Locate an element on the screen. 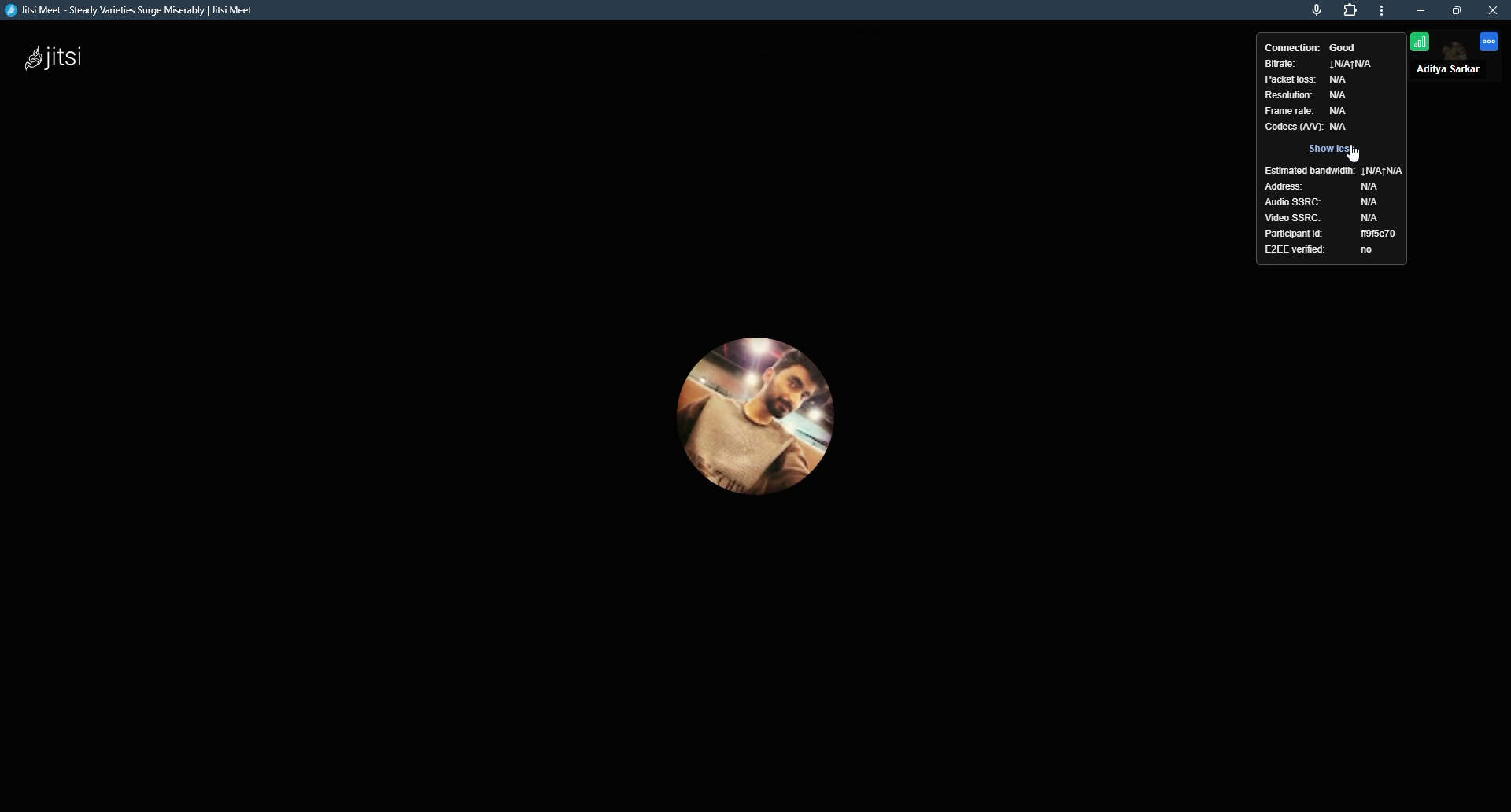 This screenshot has height=812, width=1511. connection is located at coordinates (1291, 46).